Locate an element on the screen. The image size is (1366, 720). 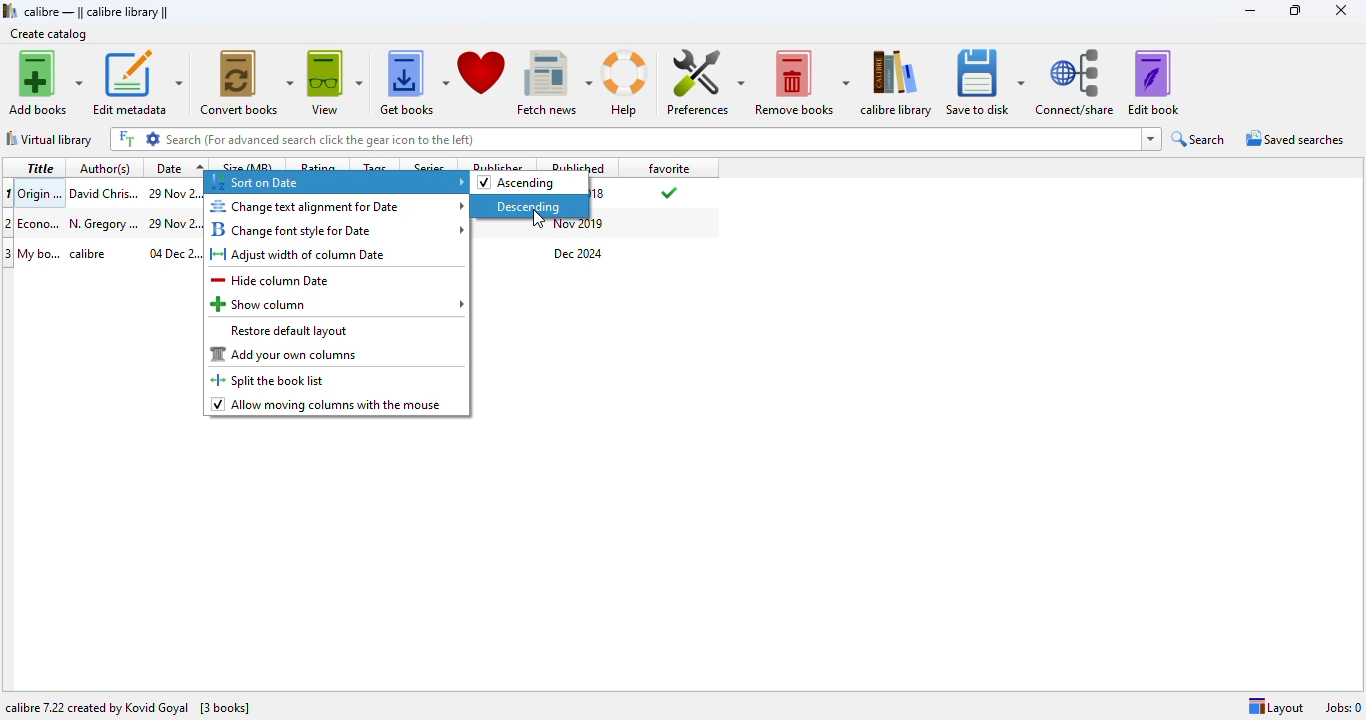
descending is located at coordinates (529, 206).